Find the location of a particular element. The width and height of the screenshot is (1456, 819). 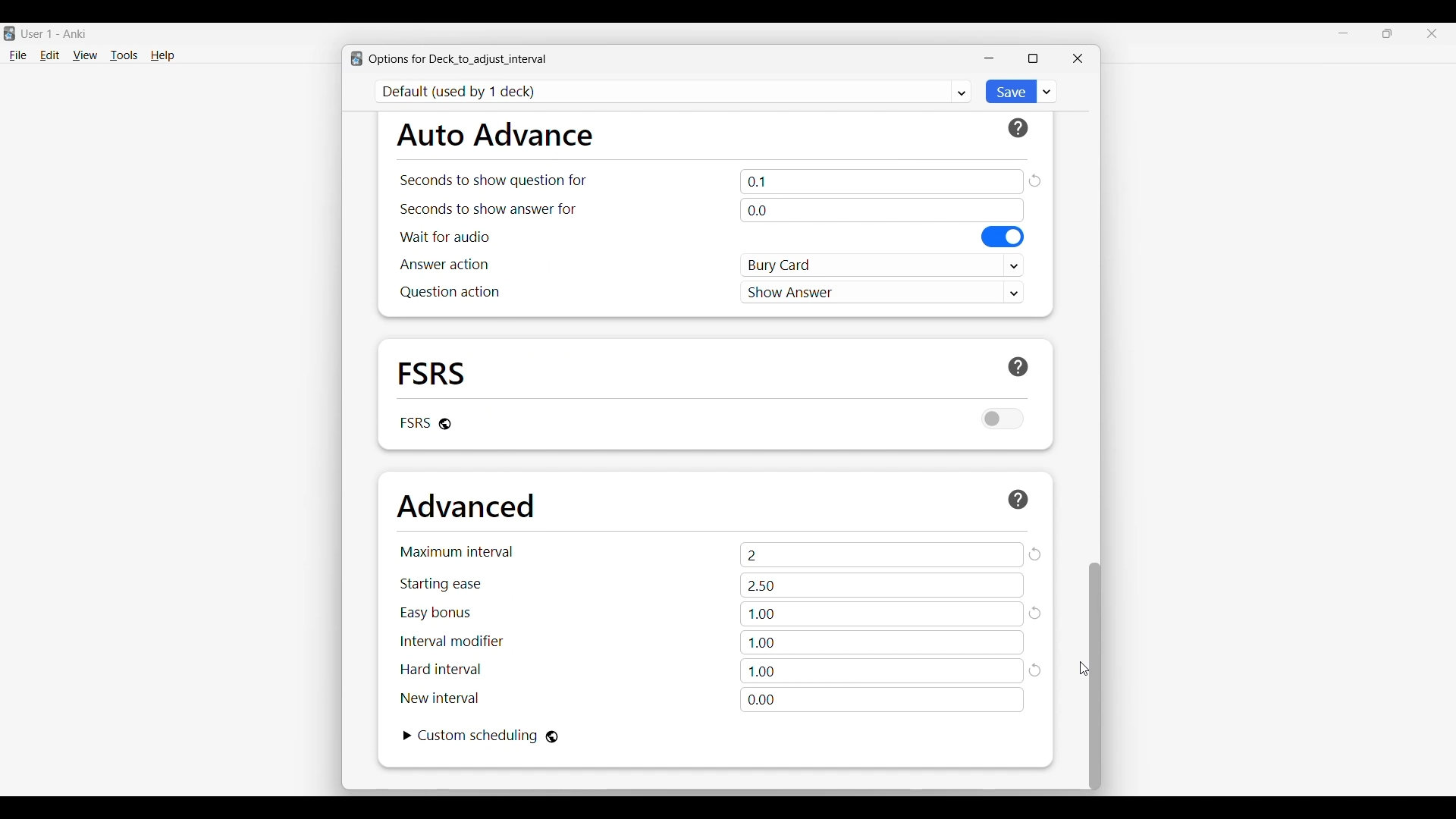

Window title is located at coordinates (458, 59).